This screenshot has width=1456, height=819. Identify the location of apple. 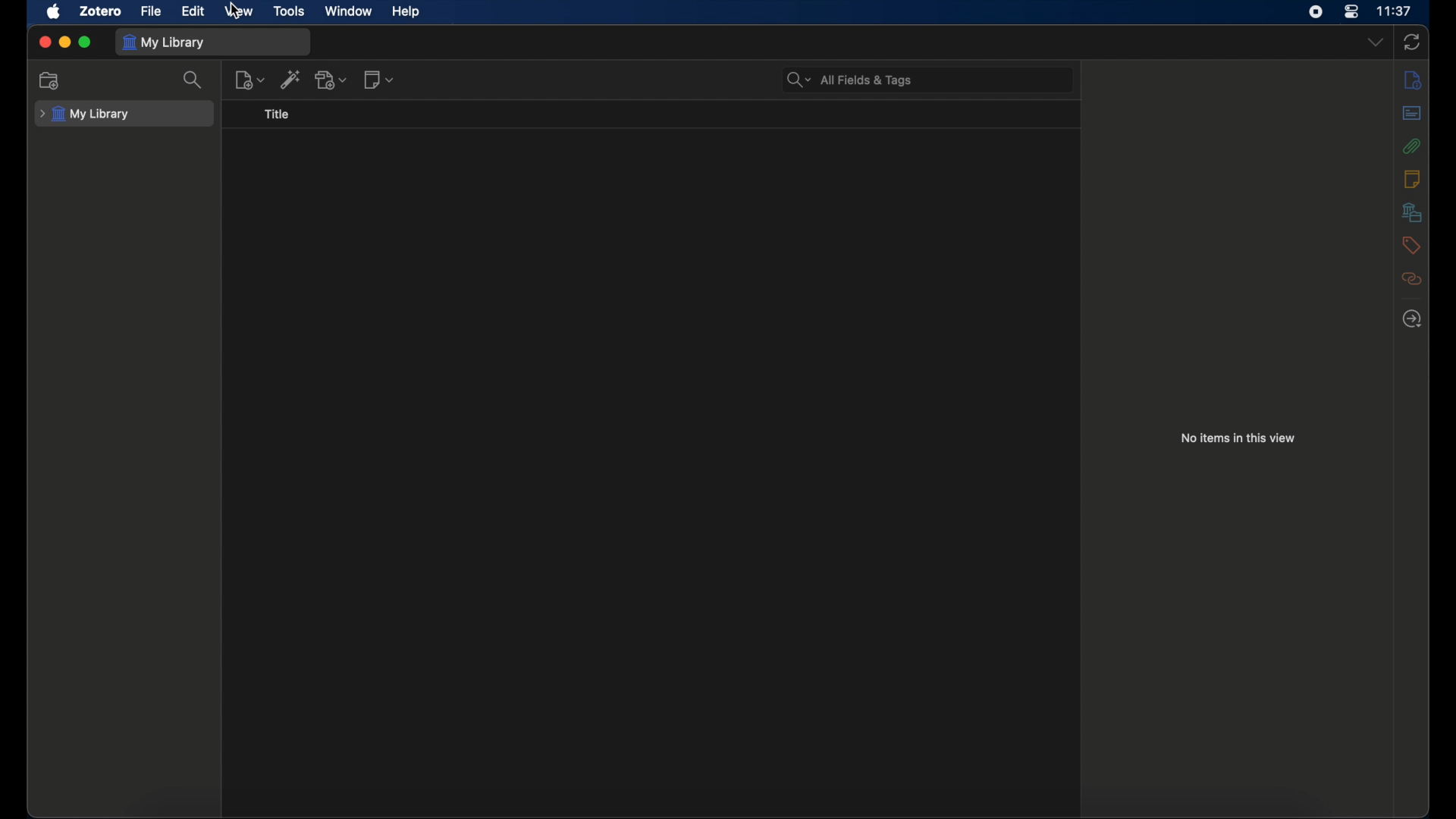
(55, 11).